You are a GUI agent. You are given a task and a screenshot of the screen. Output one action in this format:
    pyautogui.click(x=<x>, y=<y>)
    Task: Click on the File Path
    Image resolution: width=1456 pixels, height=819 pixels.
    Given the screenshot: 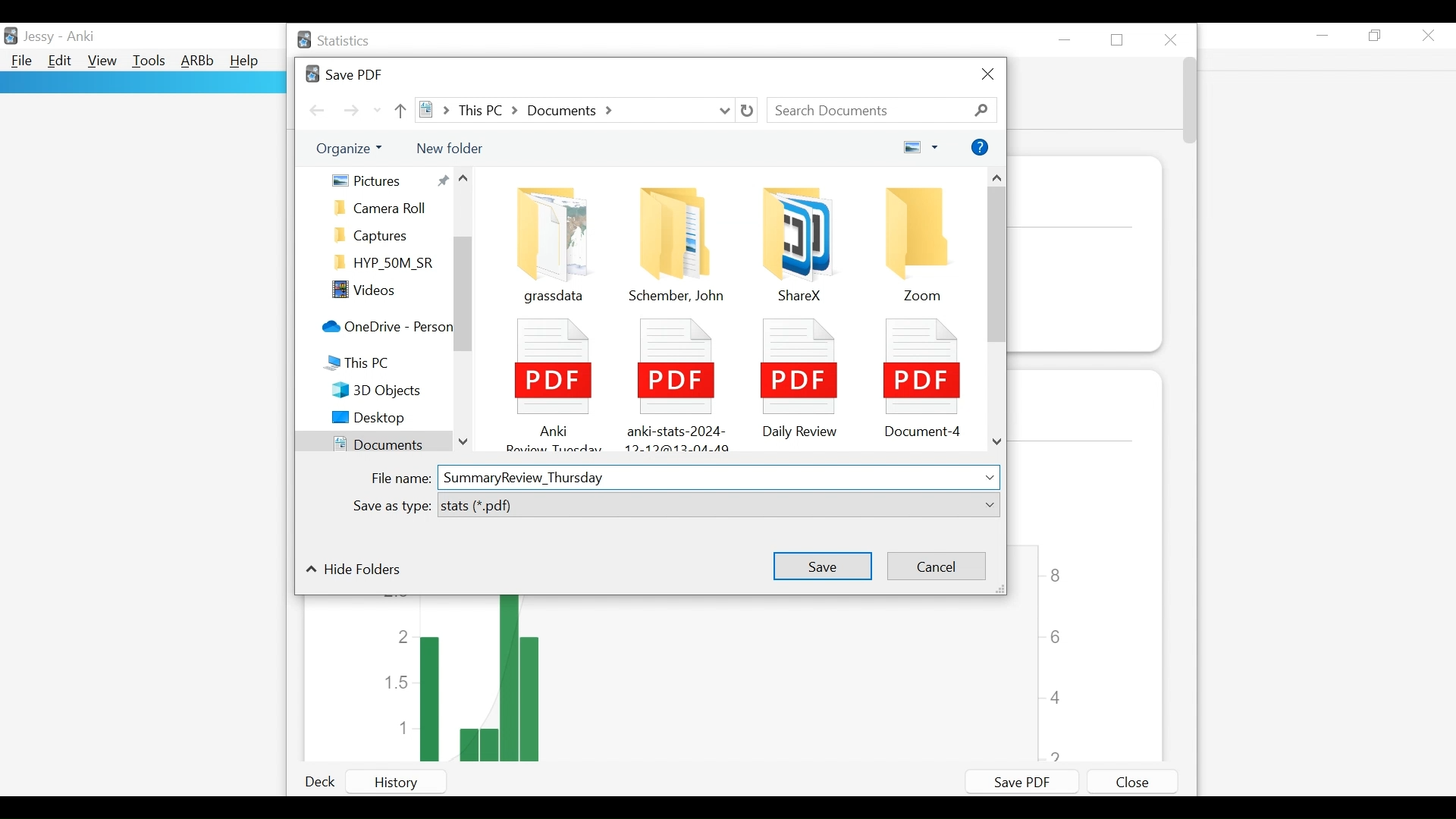 What is the action you would take?
    pyautogui.click(x=576, y=110)
    